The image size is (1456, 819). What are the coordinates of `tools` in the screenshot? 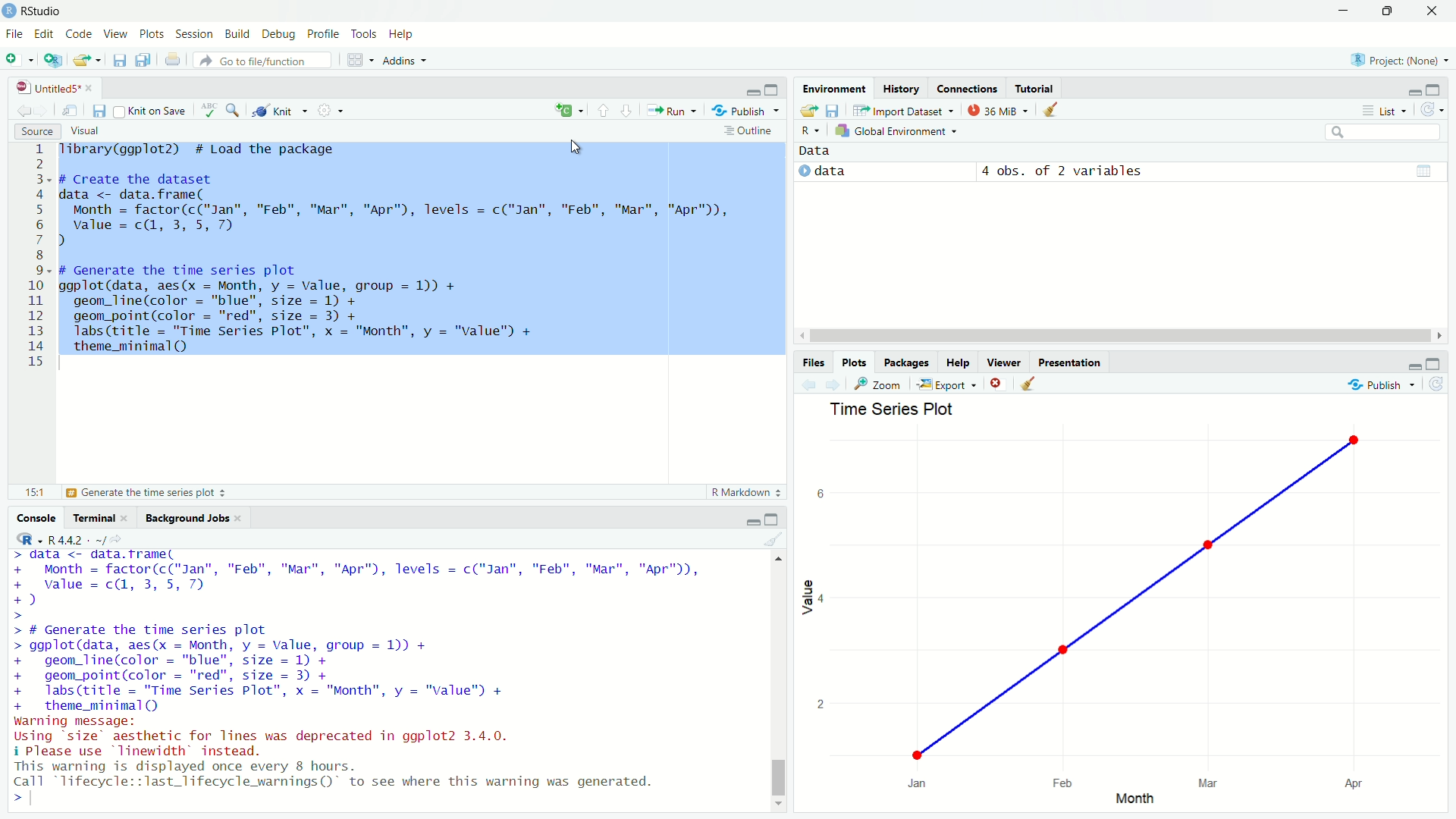 It's located at (366, 35).